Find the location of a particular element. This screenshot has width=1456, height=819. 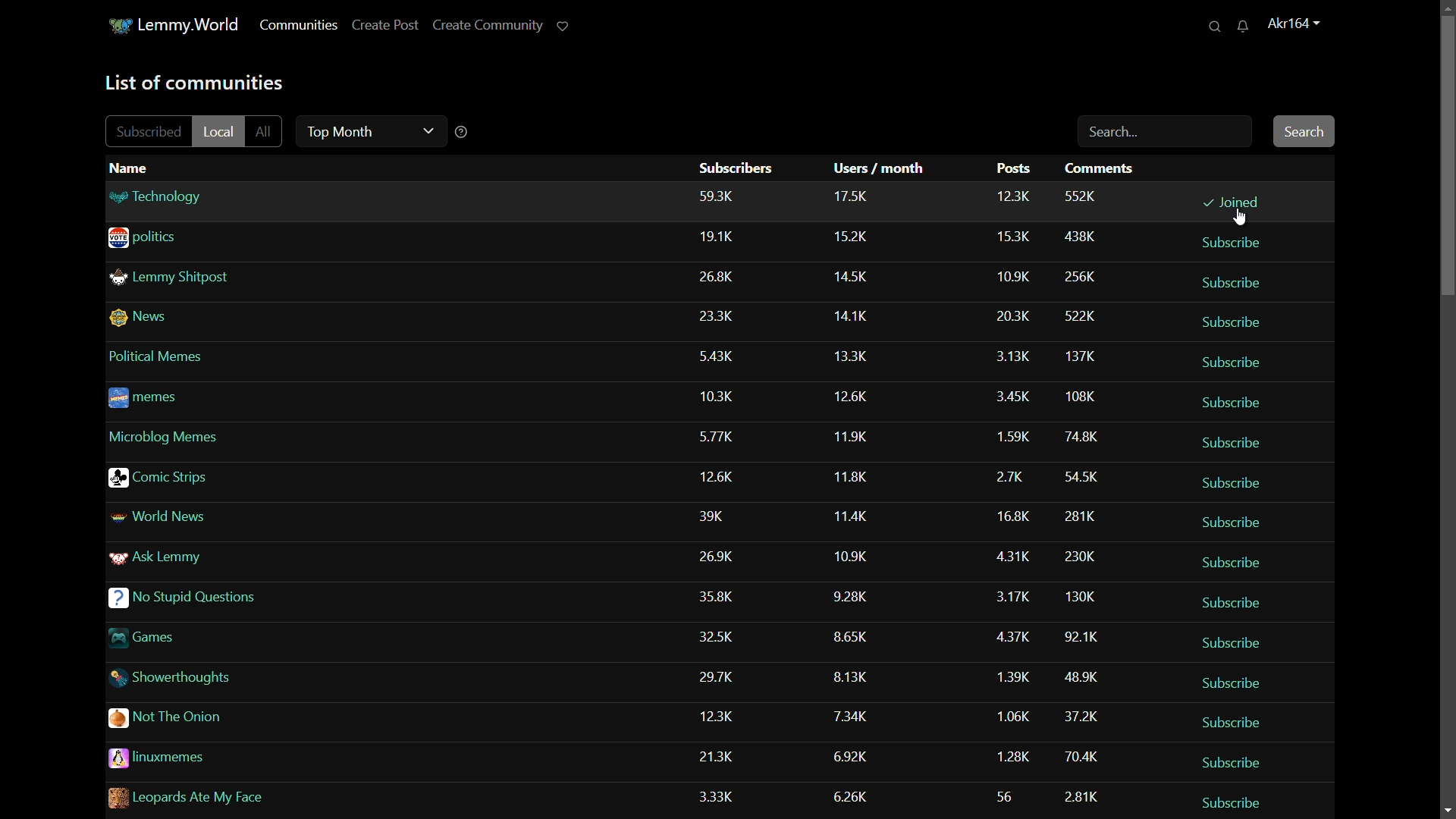

subscribers is located at coordinates (720, 521).